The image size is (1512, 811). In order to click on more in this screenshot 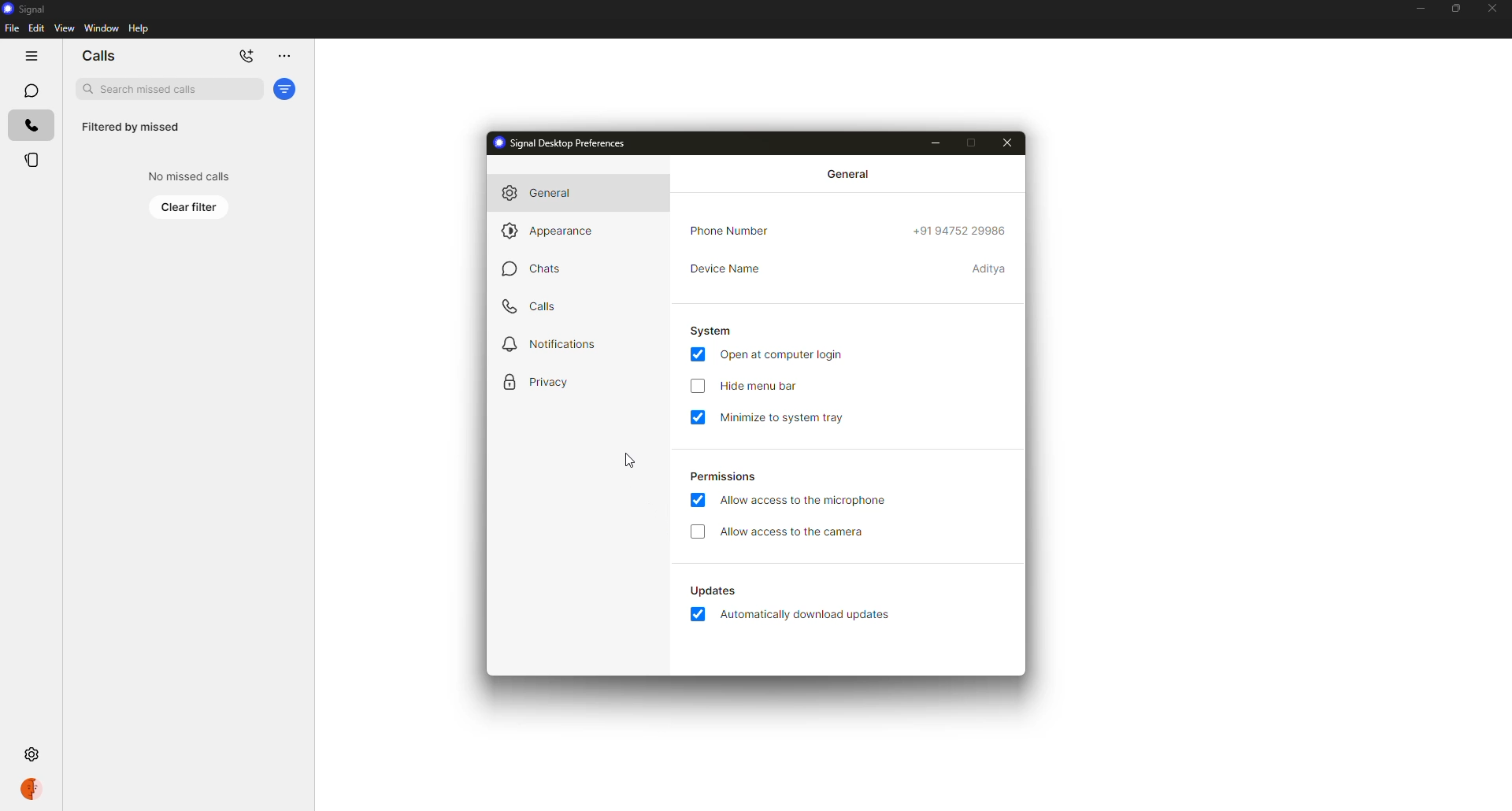, I will do `click(282, 57)`.